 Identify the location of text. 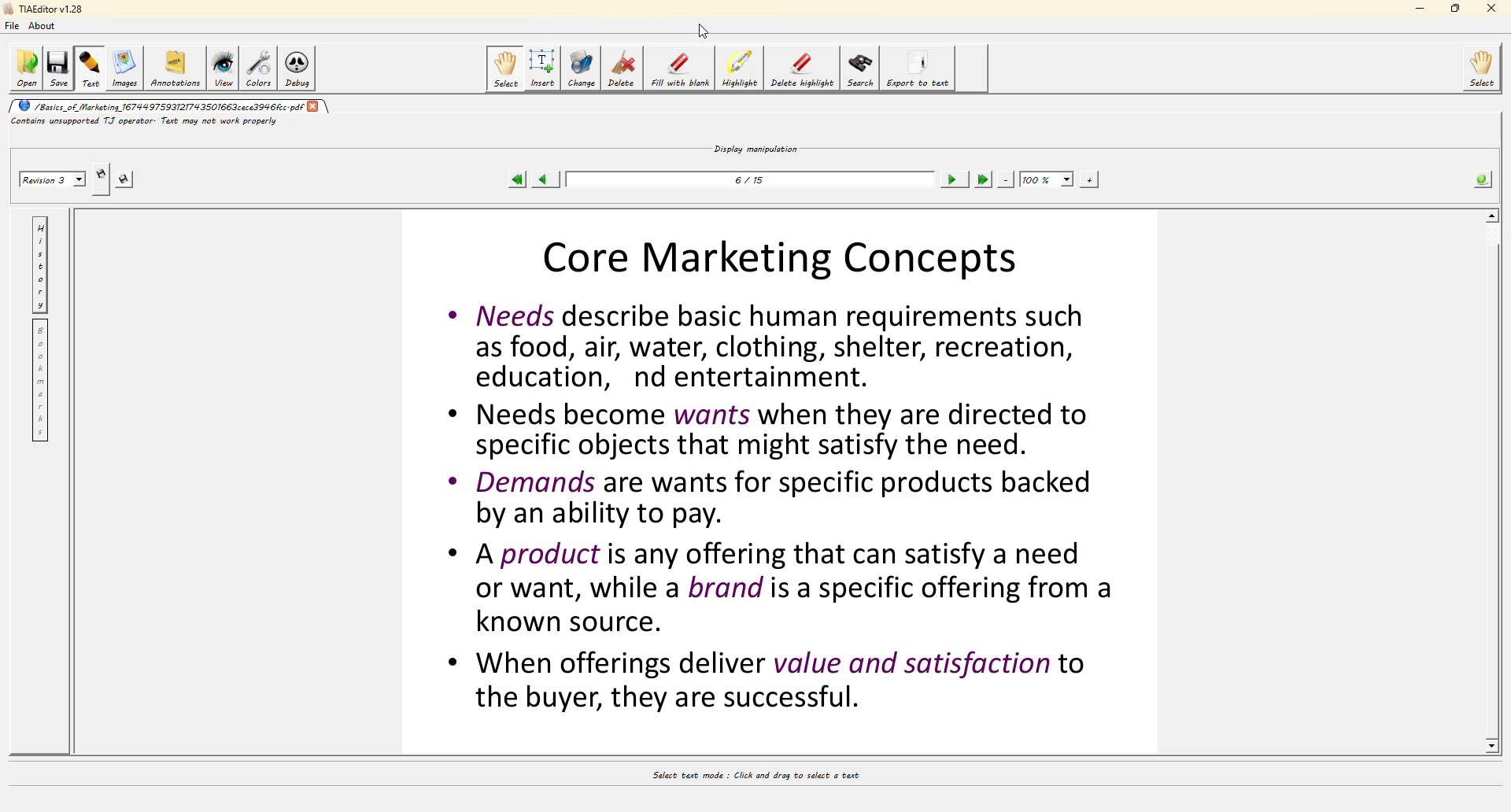
(91, 68).